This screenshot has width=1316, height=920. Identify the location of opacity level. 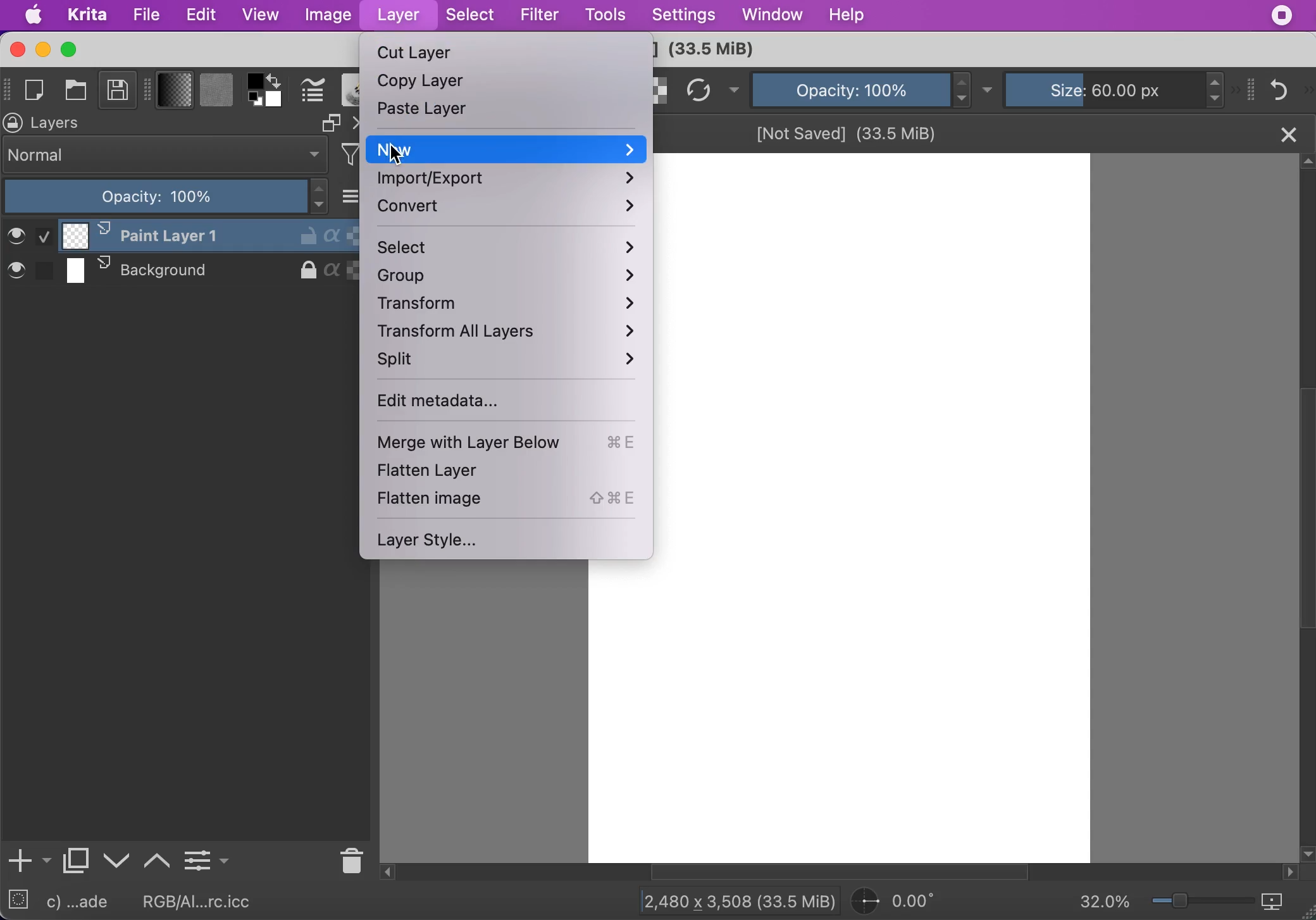
(167, 197).